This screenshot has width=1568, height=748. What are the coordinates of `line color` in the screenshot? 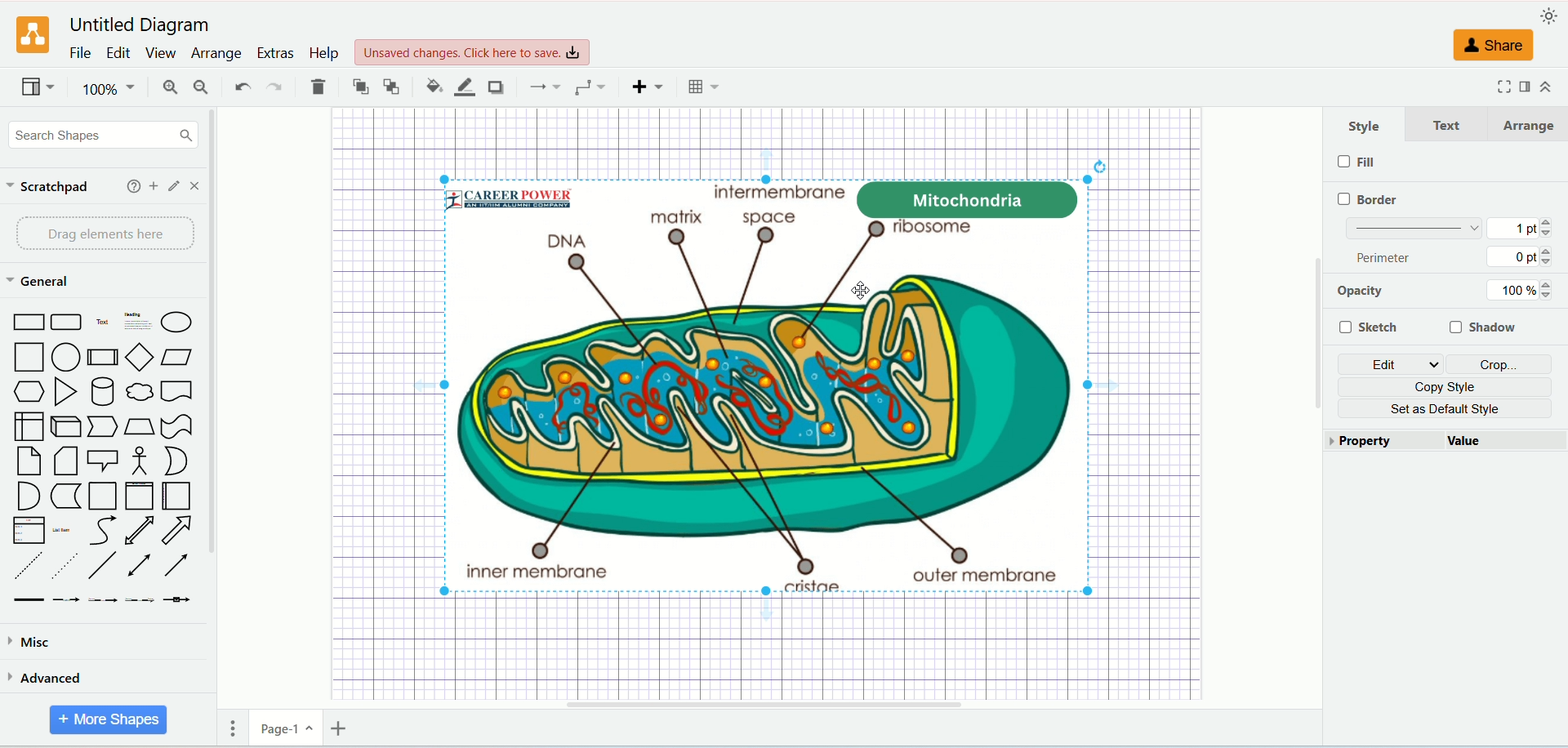 It's located at (464, 87).